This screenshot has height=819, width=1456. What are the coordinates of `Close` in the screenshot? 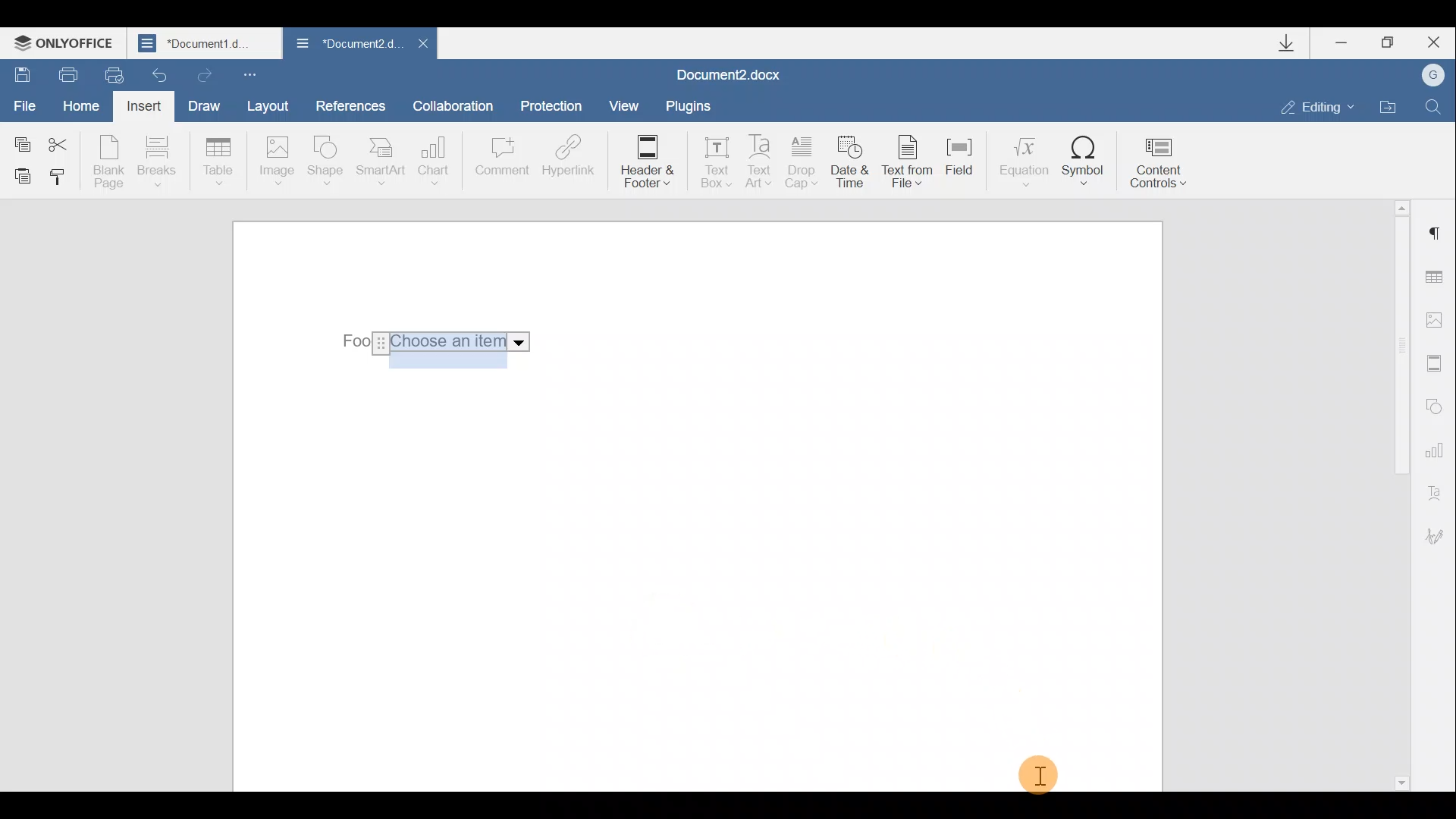 It's located at (422, 48).